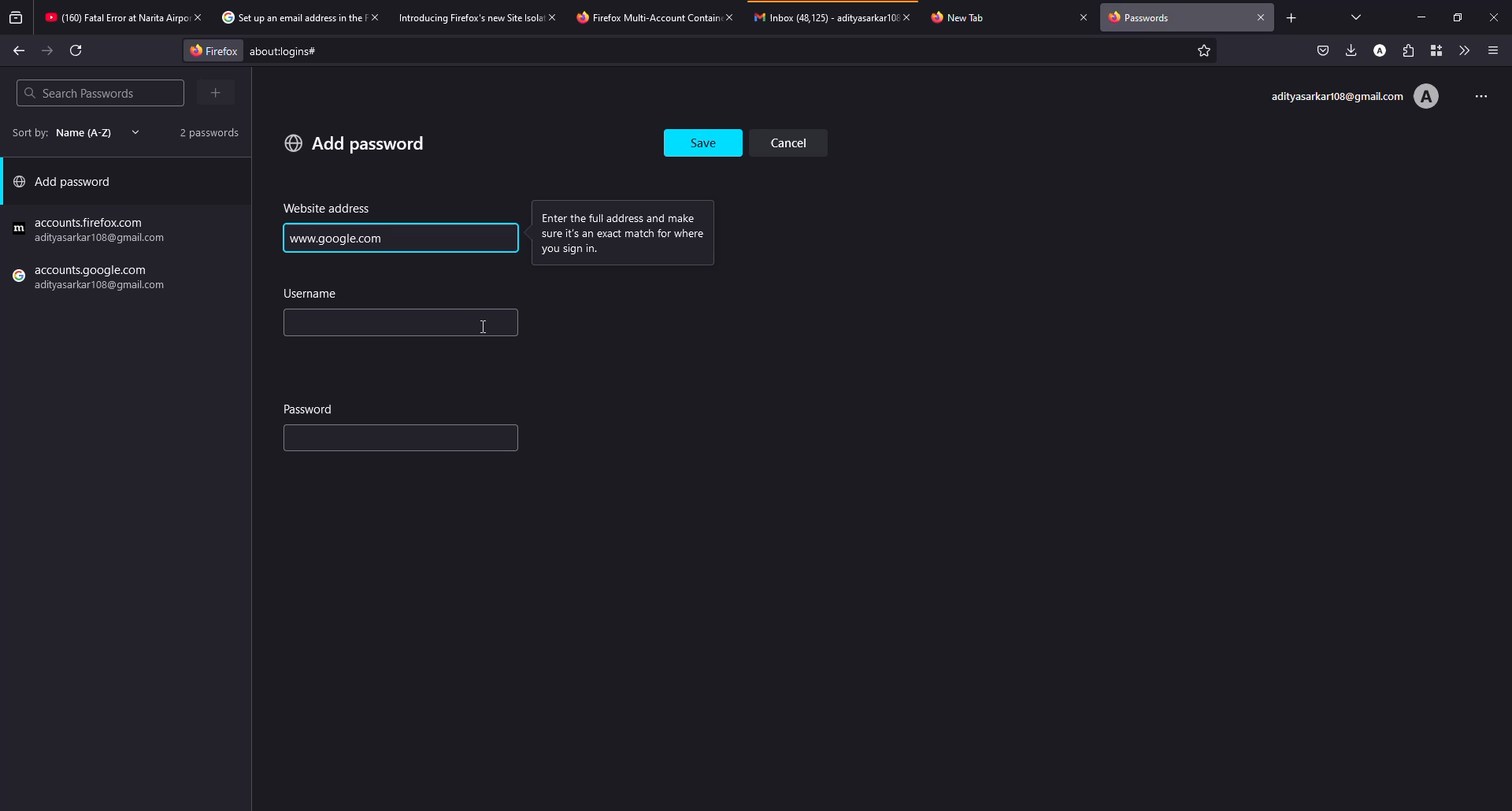 The image size is (1512, 811). What do you see at coordinates (92, 280) in the screenshot?
I see `firefox` at bounding box center [92, 280].